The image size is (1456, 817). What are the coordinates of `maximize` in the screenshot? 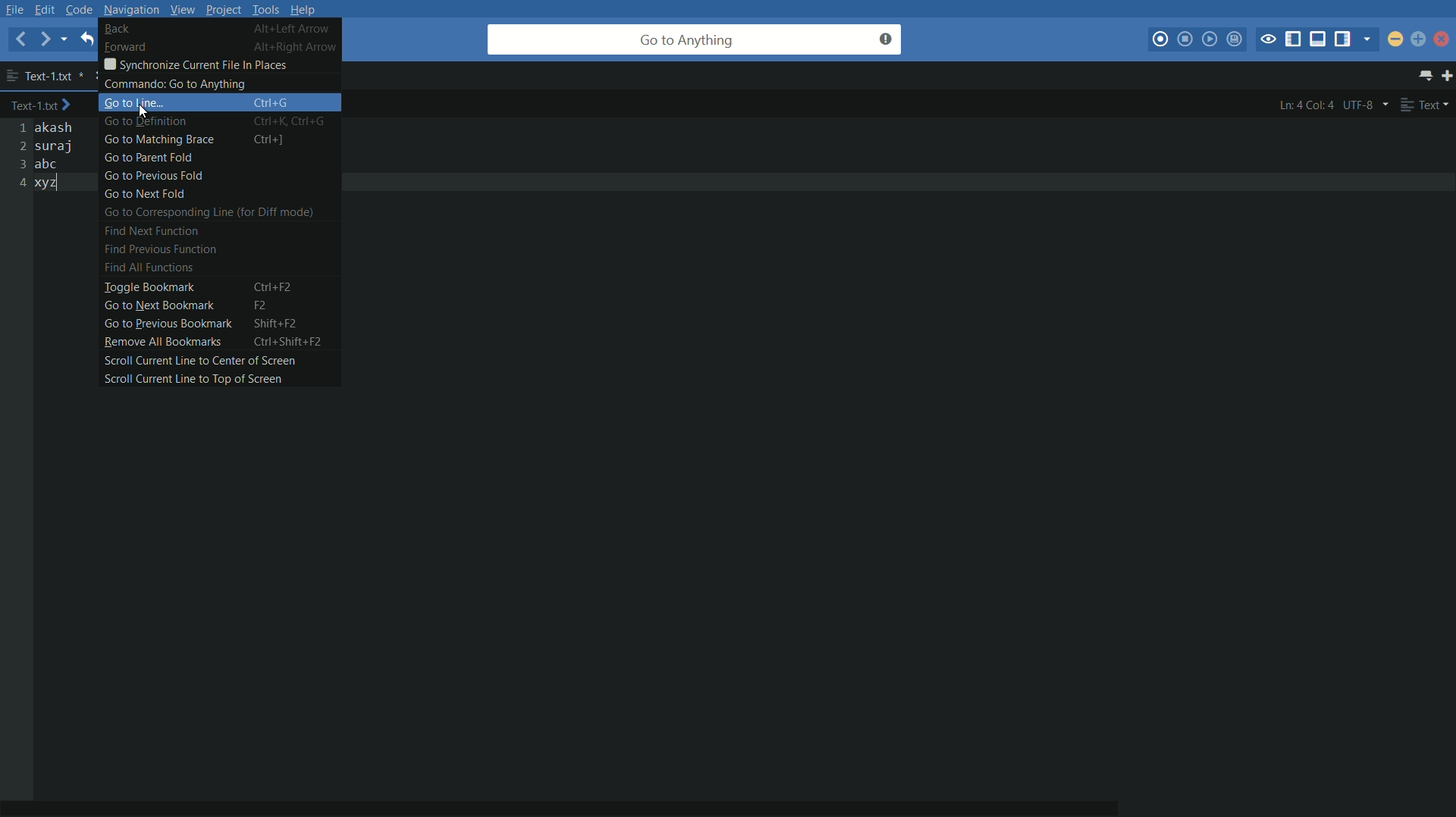 It's located at (1417, 39).